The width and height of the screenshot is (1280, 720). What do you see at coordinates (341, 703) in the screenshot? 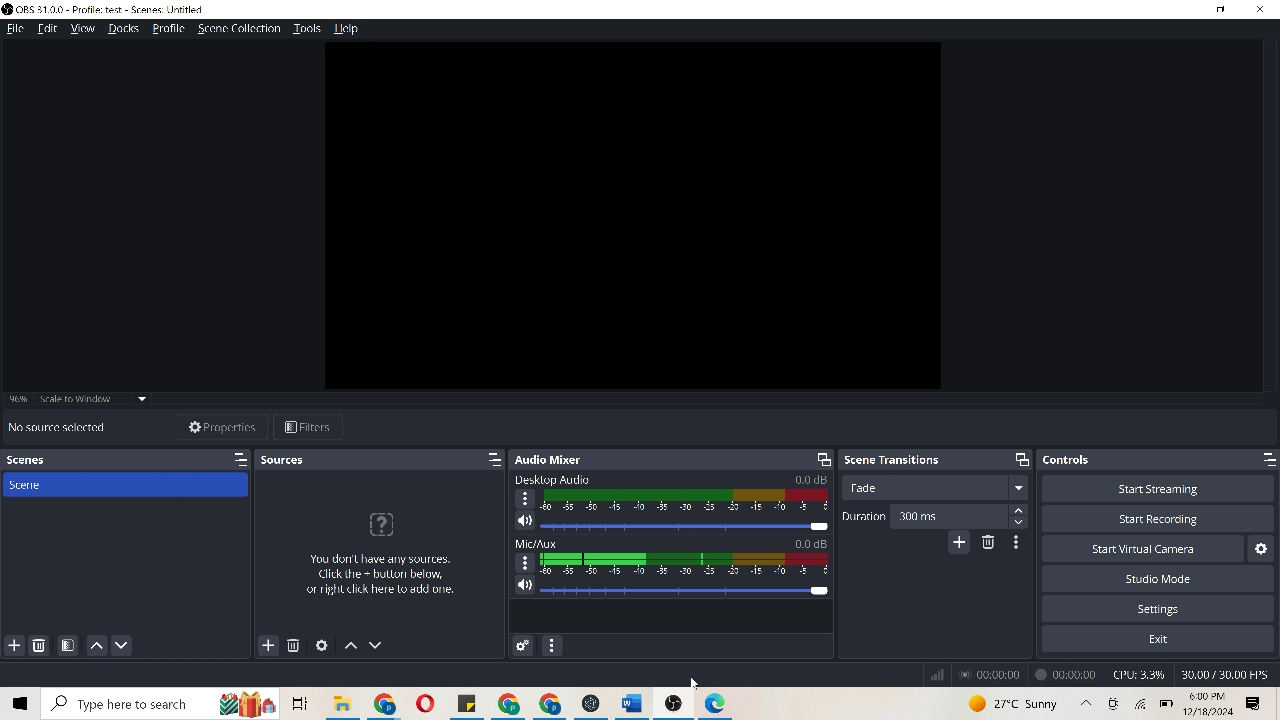
I see `folder` at bounding box center [341, 703].